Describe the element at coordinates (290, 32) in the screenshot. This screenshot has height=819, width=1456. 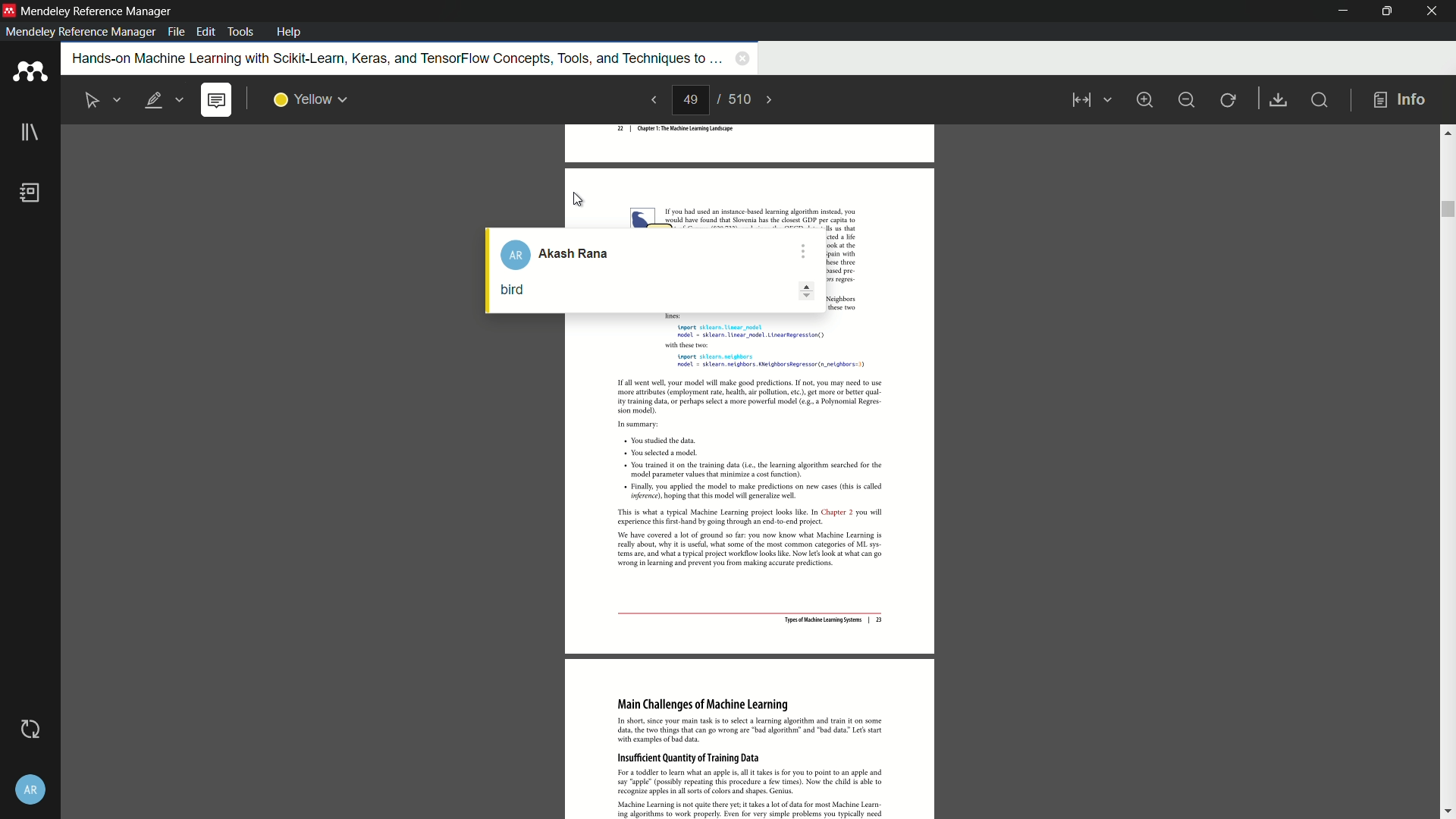
I see `help menu` at that location.